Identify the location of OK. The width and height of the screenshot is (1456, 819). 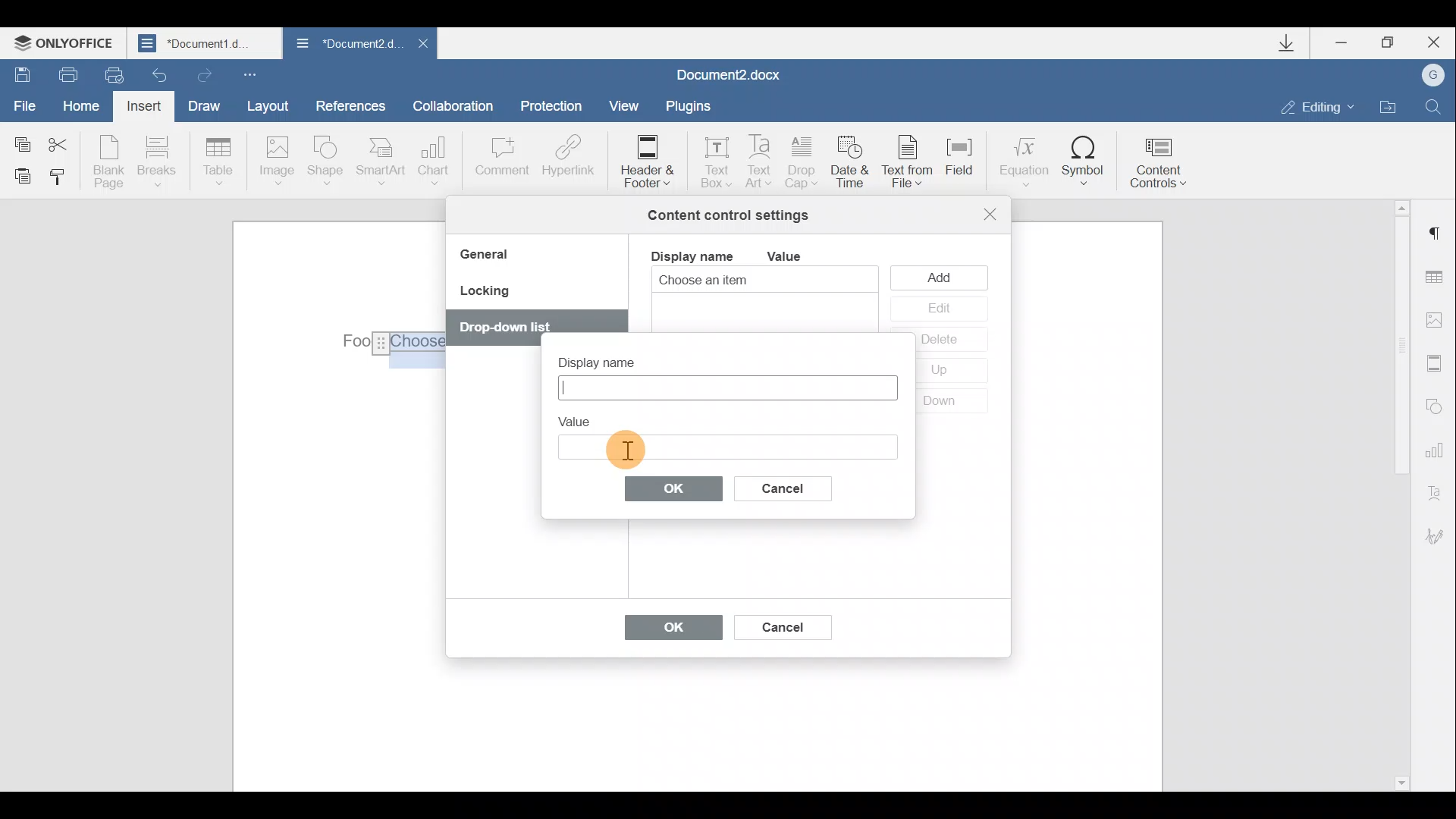
(674, 488).